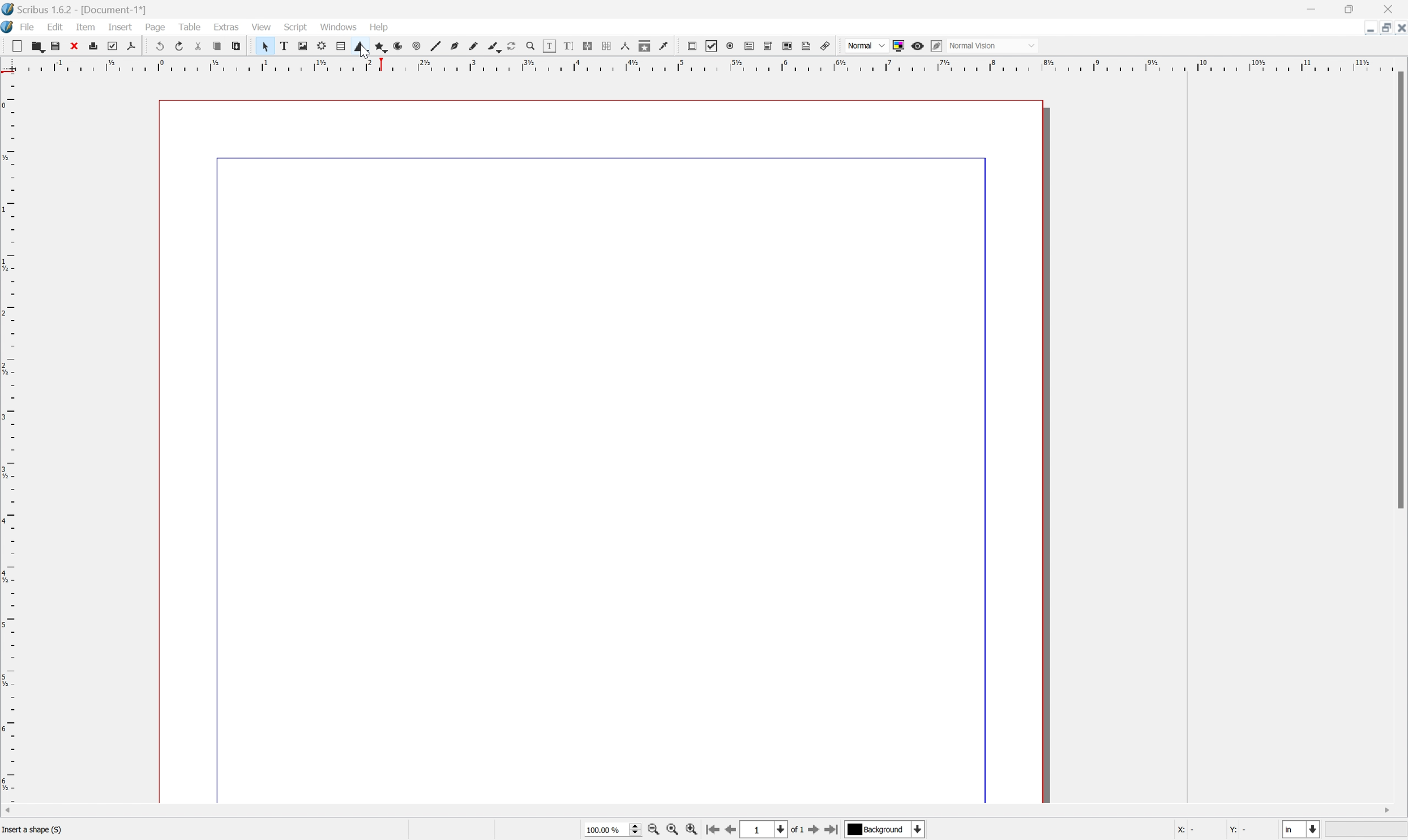  What do you see at coordinates (286, 46) in the screenshot?
I see `Text frame` at bounding box center [286, 46].